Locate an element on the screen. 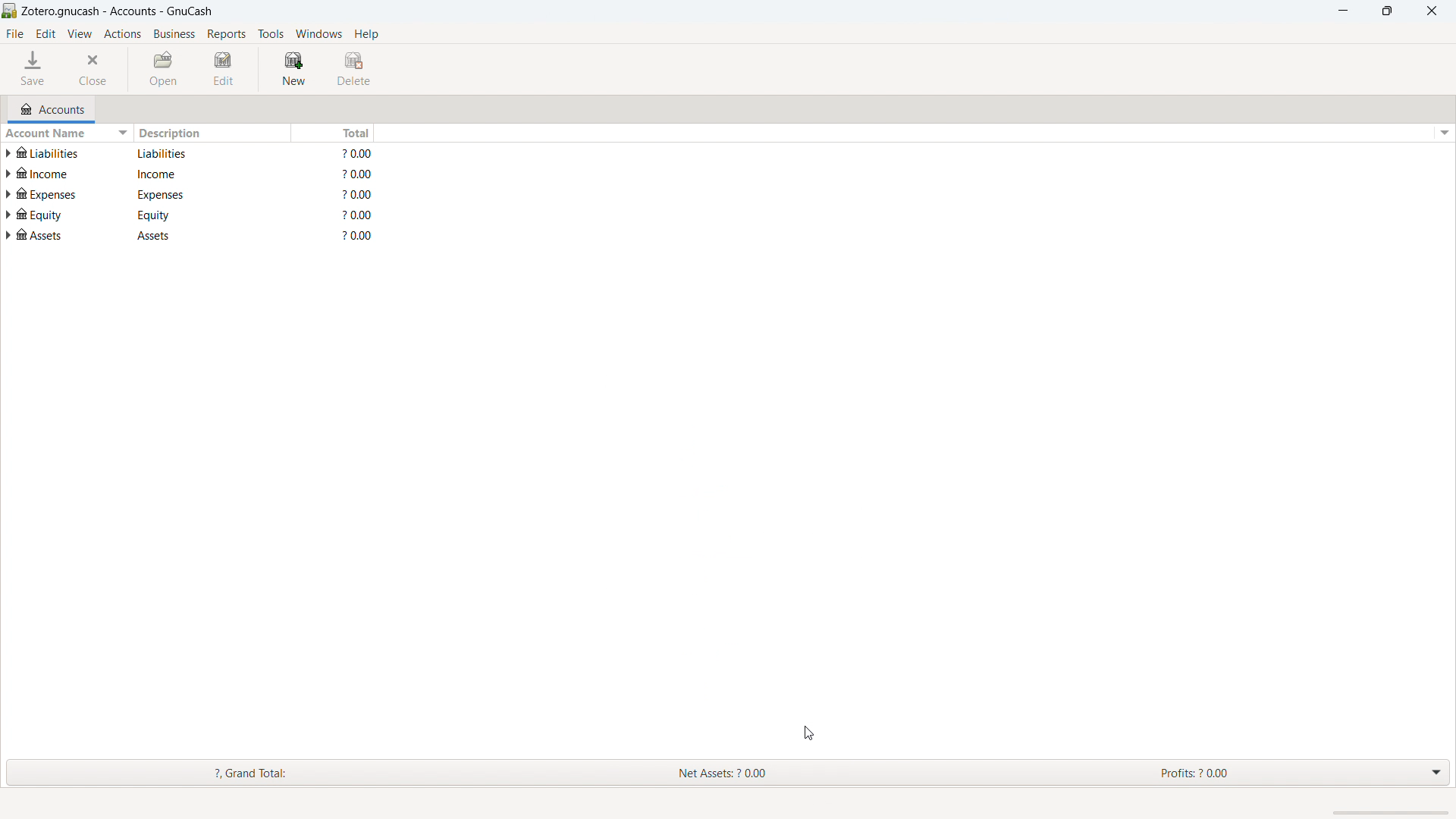  cursor is located at coordinates (809, 733).